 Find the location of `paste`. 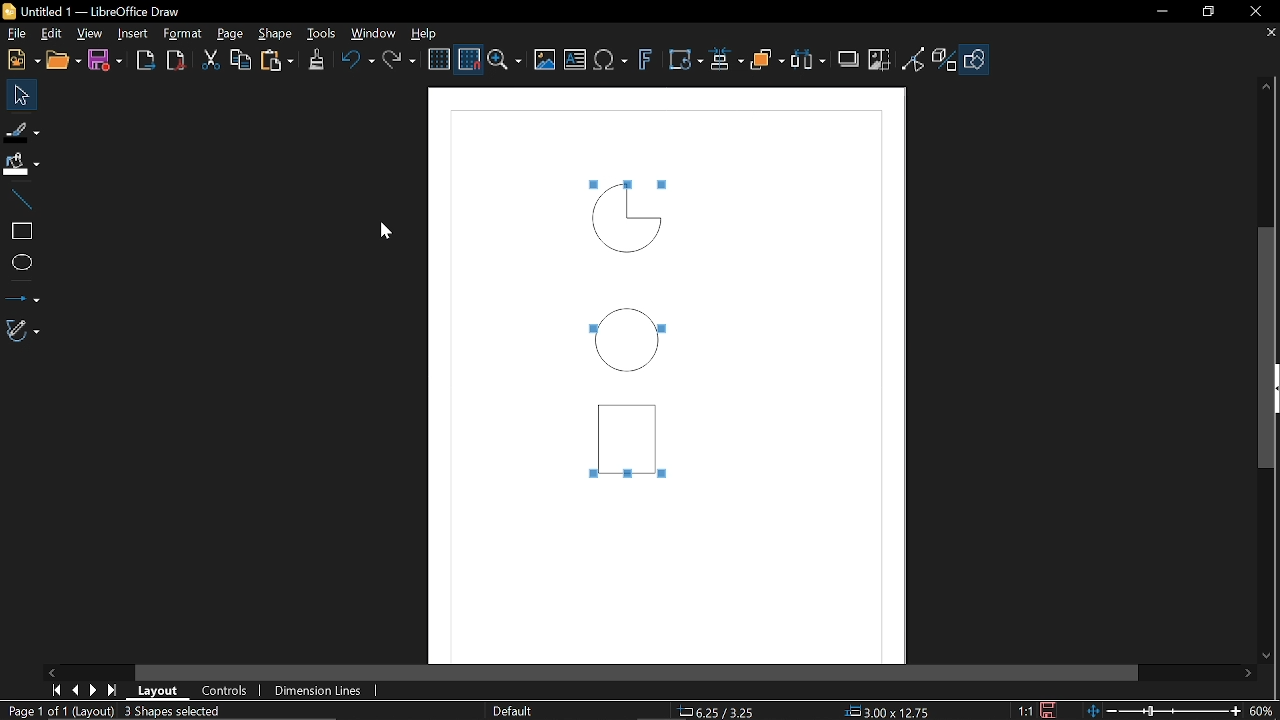

paste is located at coordinates (279, 60).